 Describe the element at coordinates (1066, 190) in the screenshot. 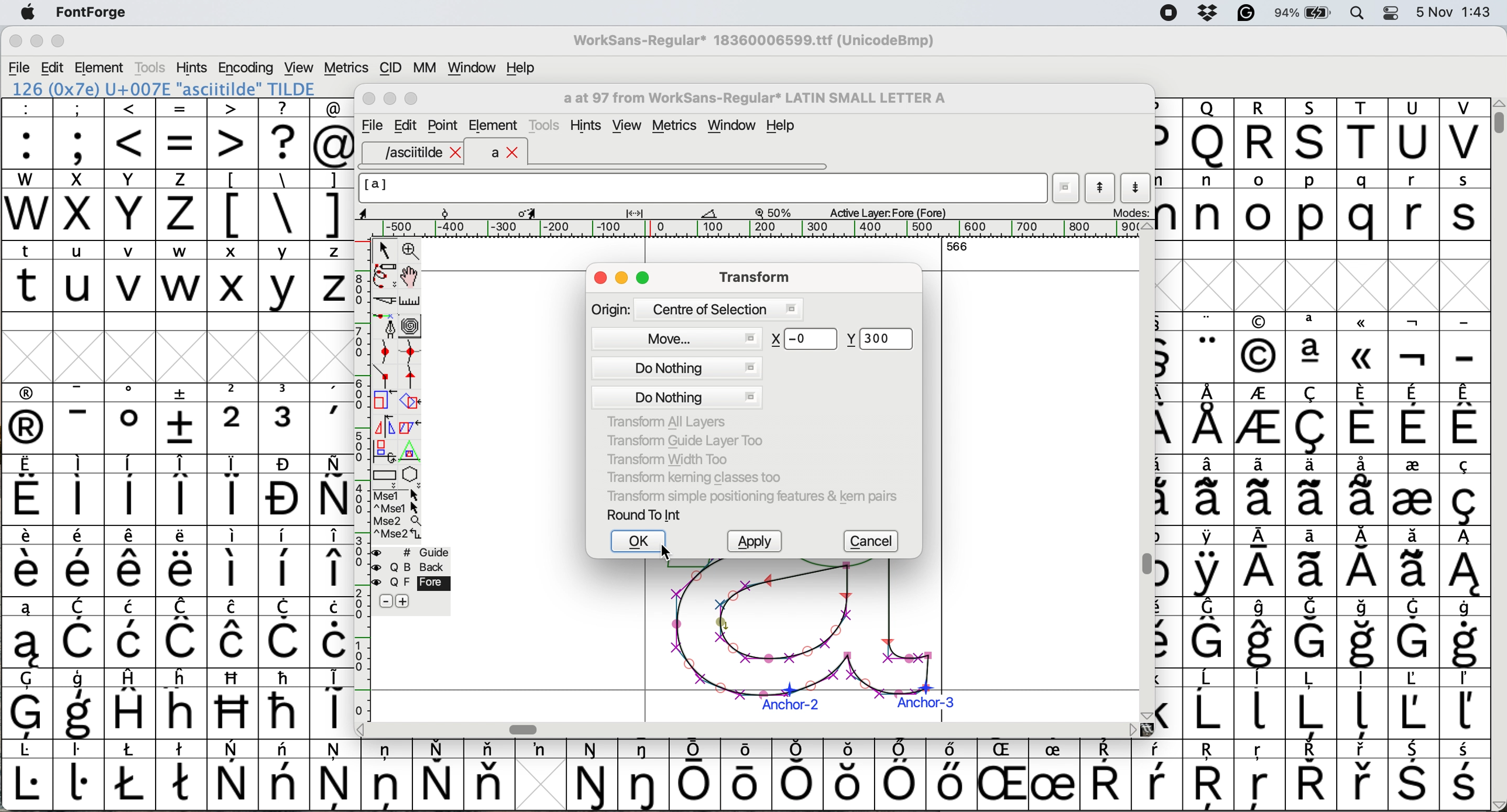

I see `current word list` at that location.